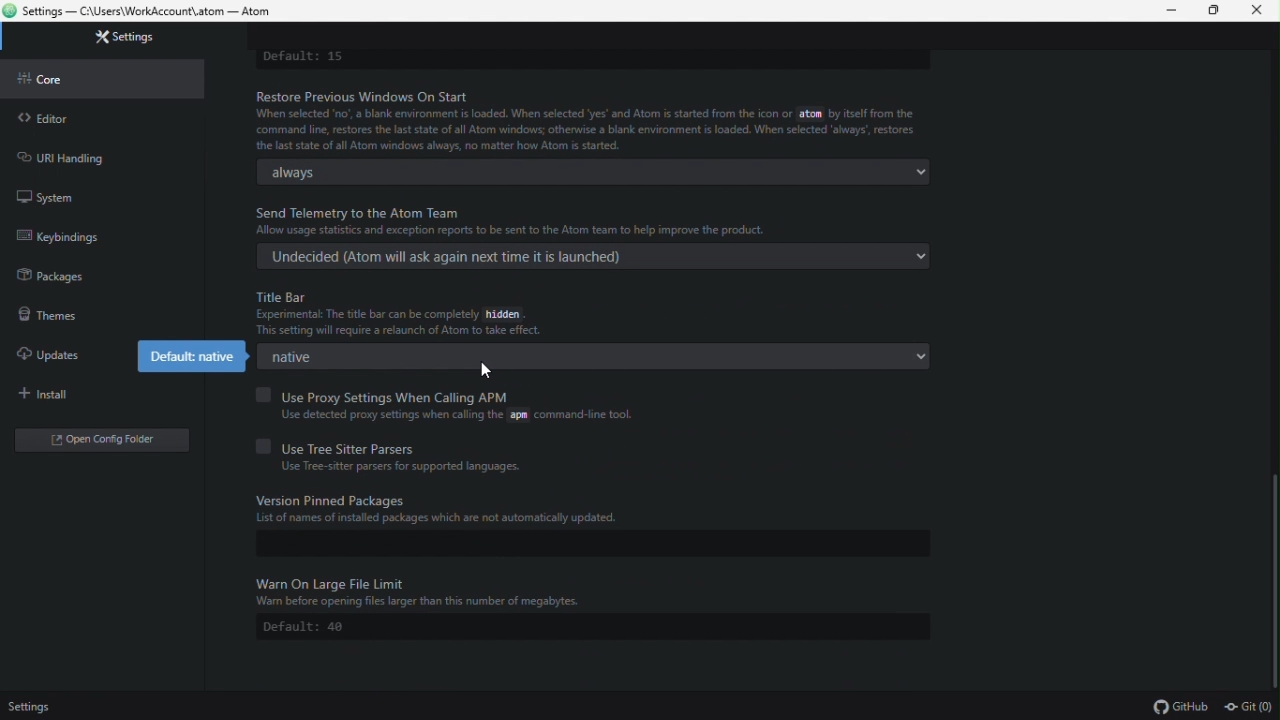  I want to click on Restore previous window On Start When selected 'no,' a blank environment is loaded. When selected 'yes' and Atom is started from tge icon or atom by itself from the command line, restores the laststate of all Atom windows, otherwise a blank environment is loaded. When selected 'always, restores the last of all Atom windows always, no matter how Atom is started.', so click(592, 121).